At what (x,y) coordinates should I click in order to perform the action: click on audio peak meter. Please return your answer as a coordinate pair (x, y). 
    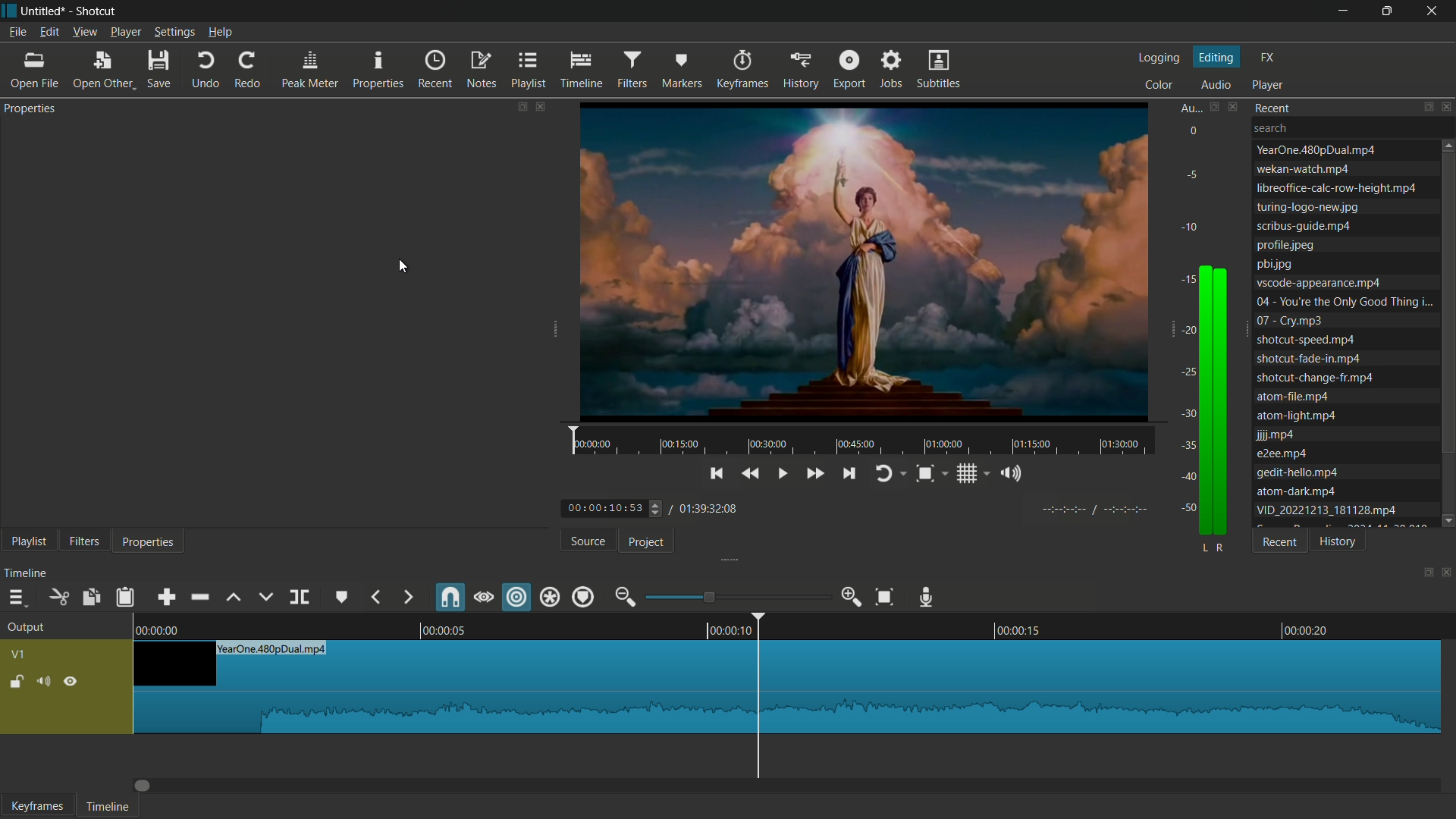
    Looking at the image, I should click on (1189, 109).